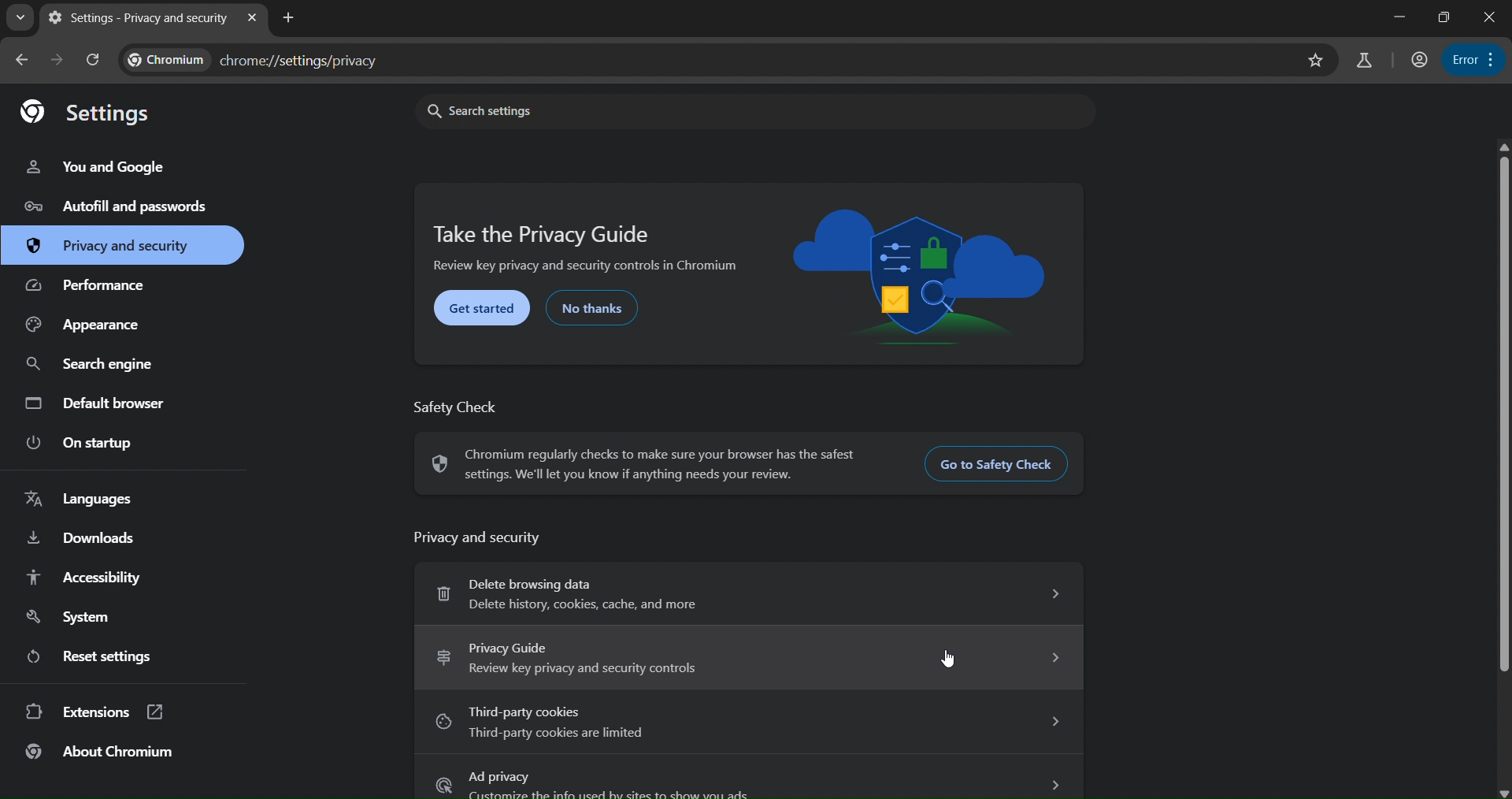 This screenshot has height=799, width=1512. I want to click on menu, so click(1474, 60).